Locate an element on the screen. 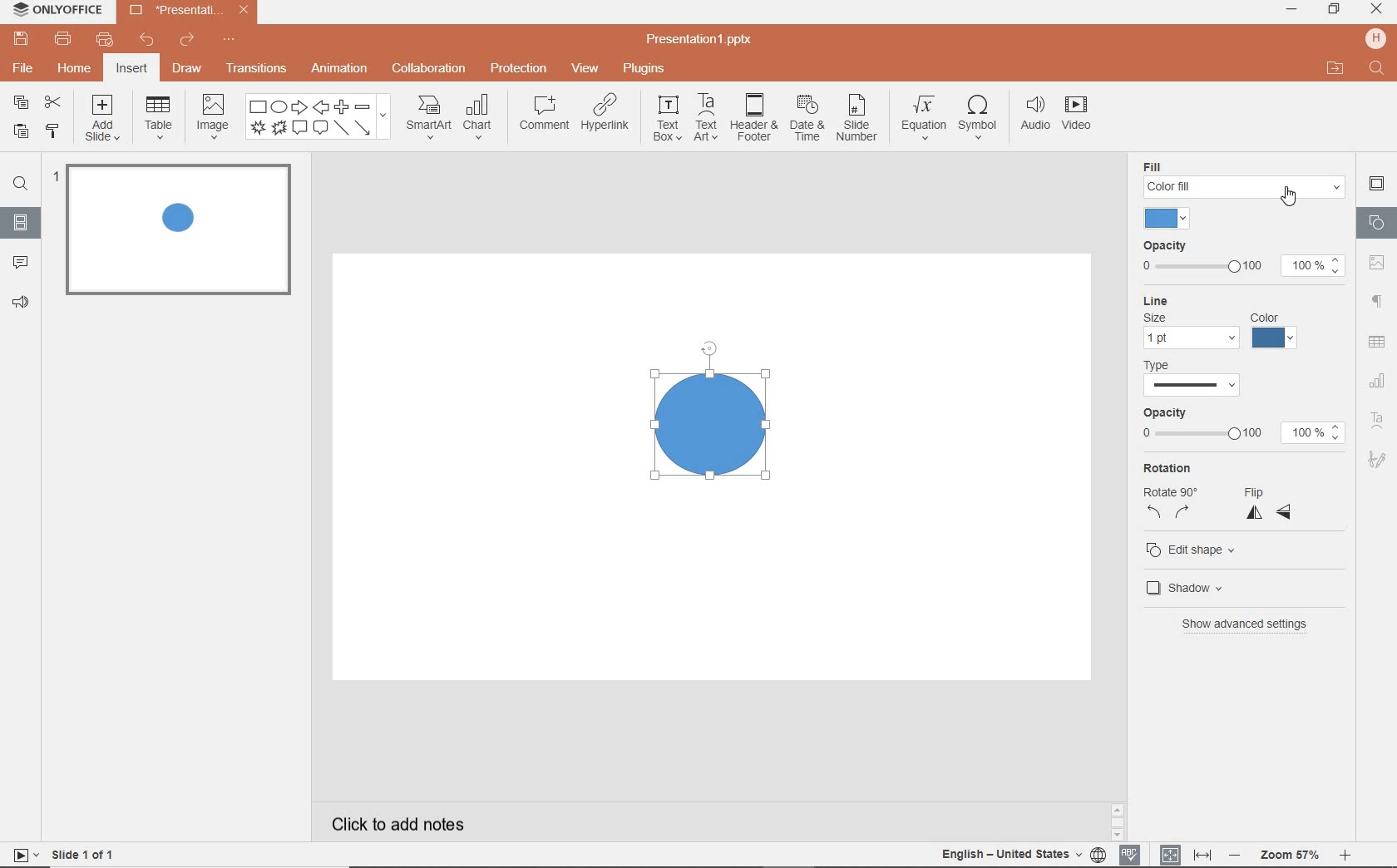 Image resolution: width=1397 pixels, height=868 pixels. symbol is located at coordinates (977, 118).